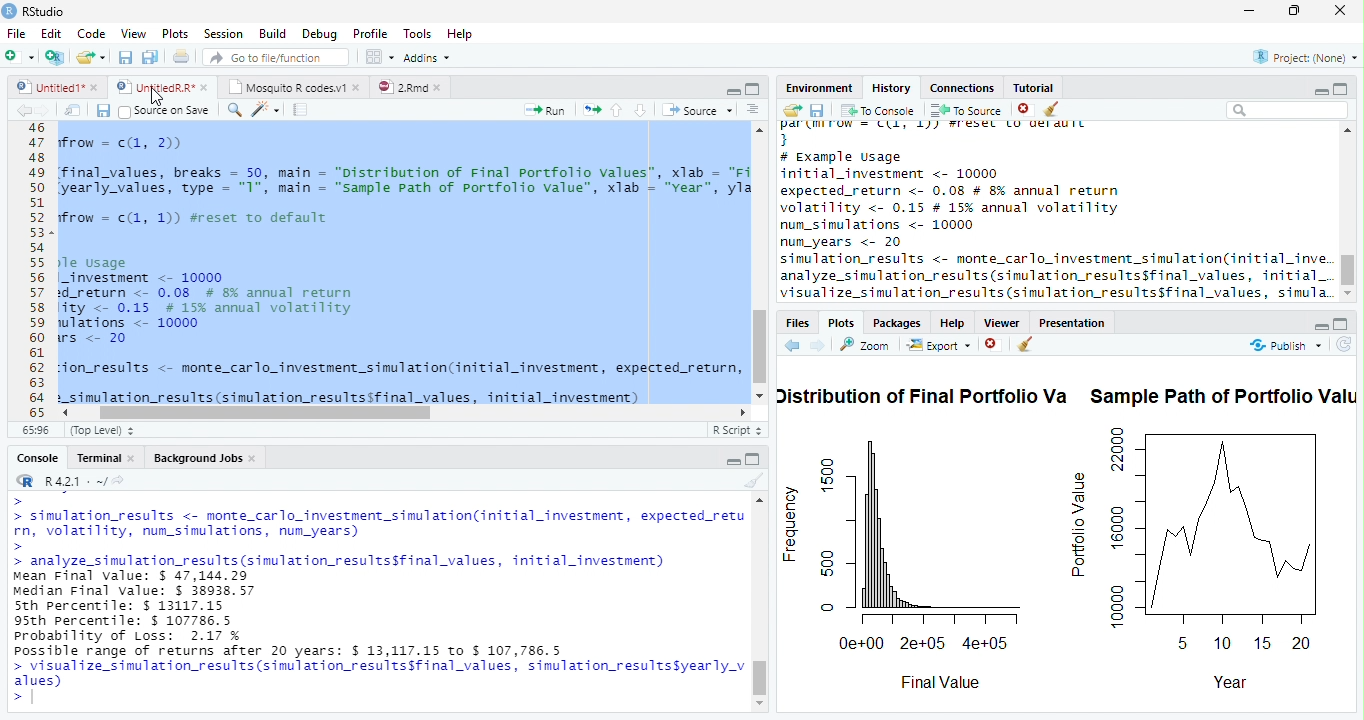 The image size is (1364, 720). What do you see at coordinates (793, 345) in the screenshot?
I see `Go to previous plot` at bounding box center [793, 345].